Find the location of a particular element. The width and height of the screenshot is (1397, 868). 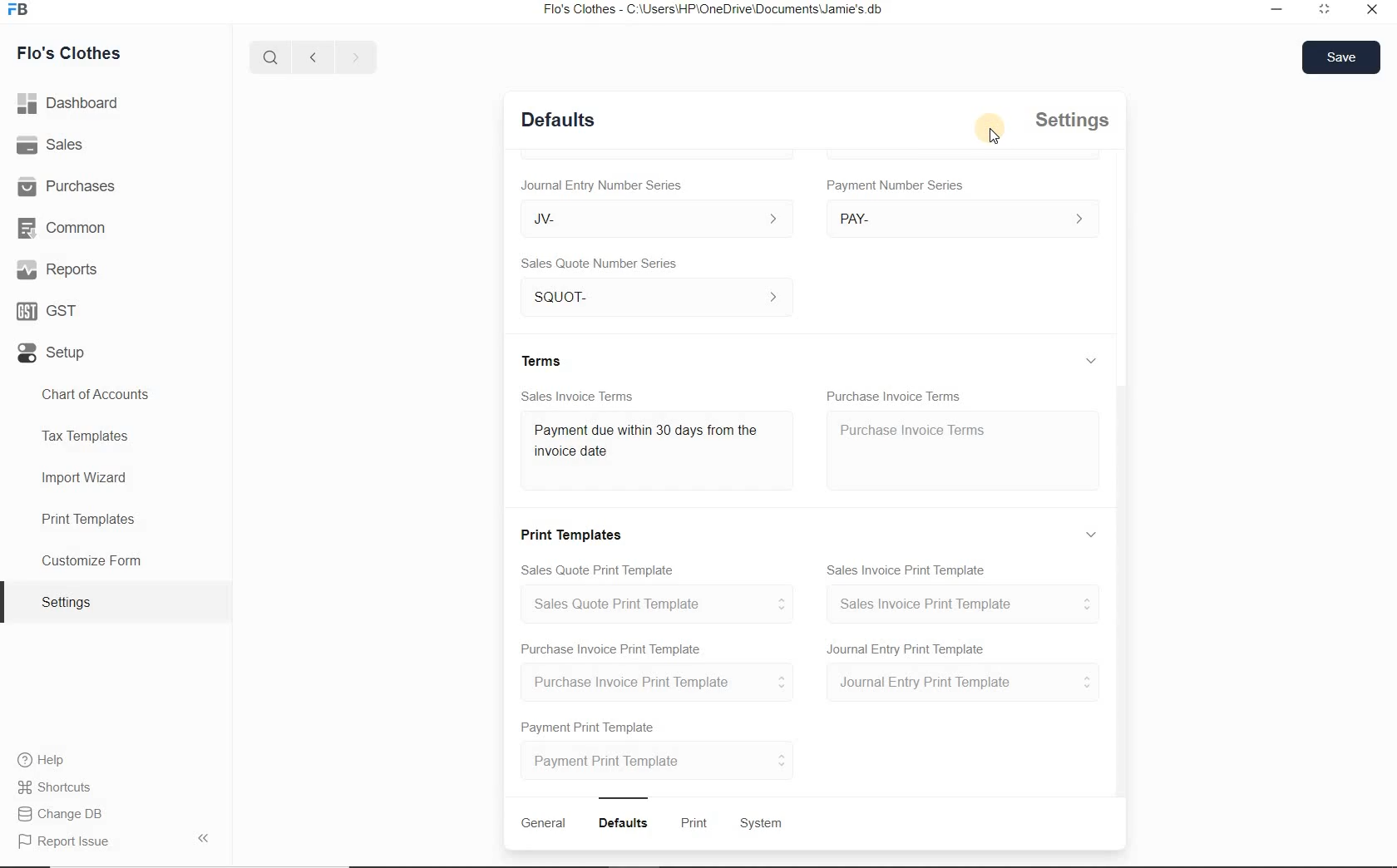

Journal Entry Print Template is located at coordinates (905, 648).